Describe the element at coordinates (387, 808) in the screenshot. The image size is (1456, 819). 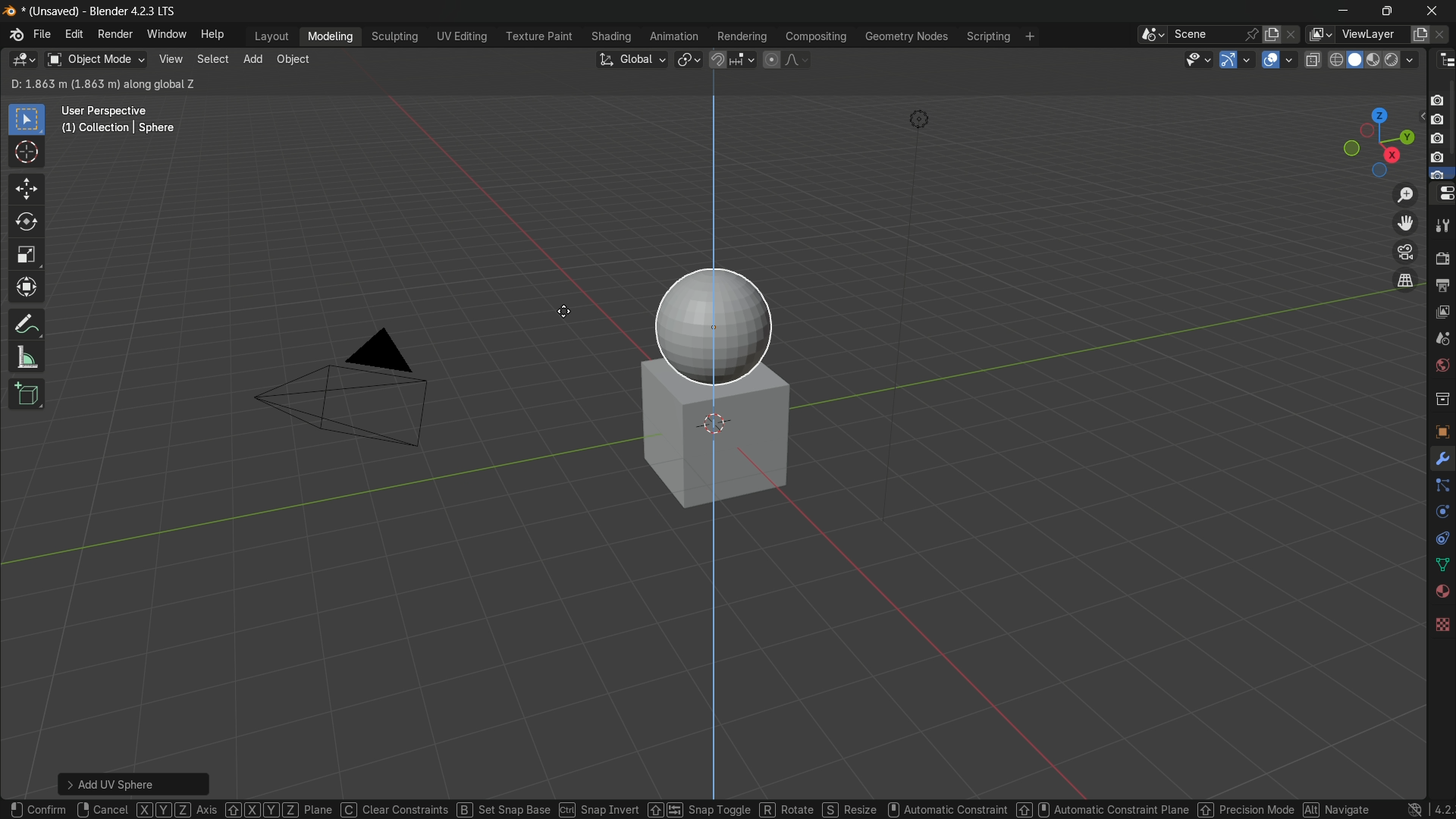
I see `Set Snap Base` at that location.